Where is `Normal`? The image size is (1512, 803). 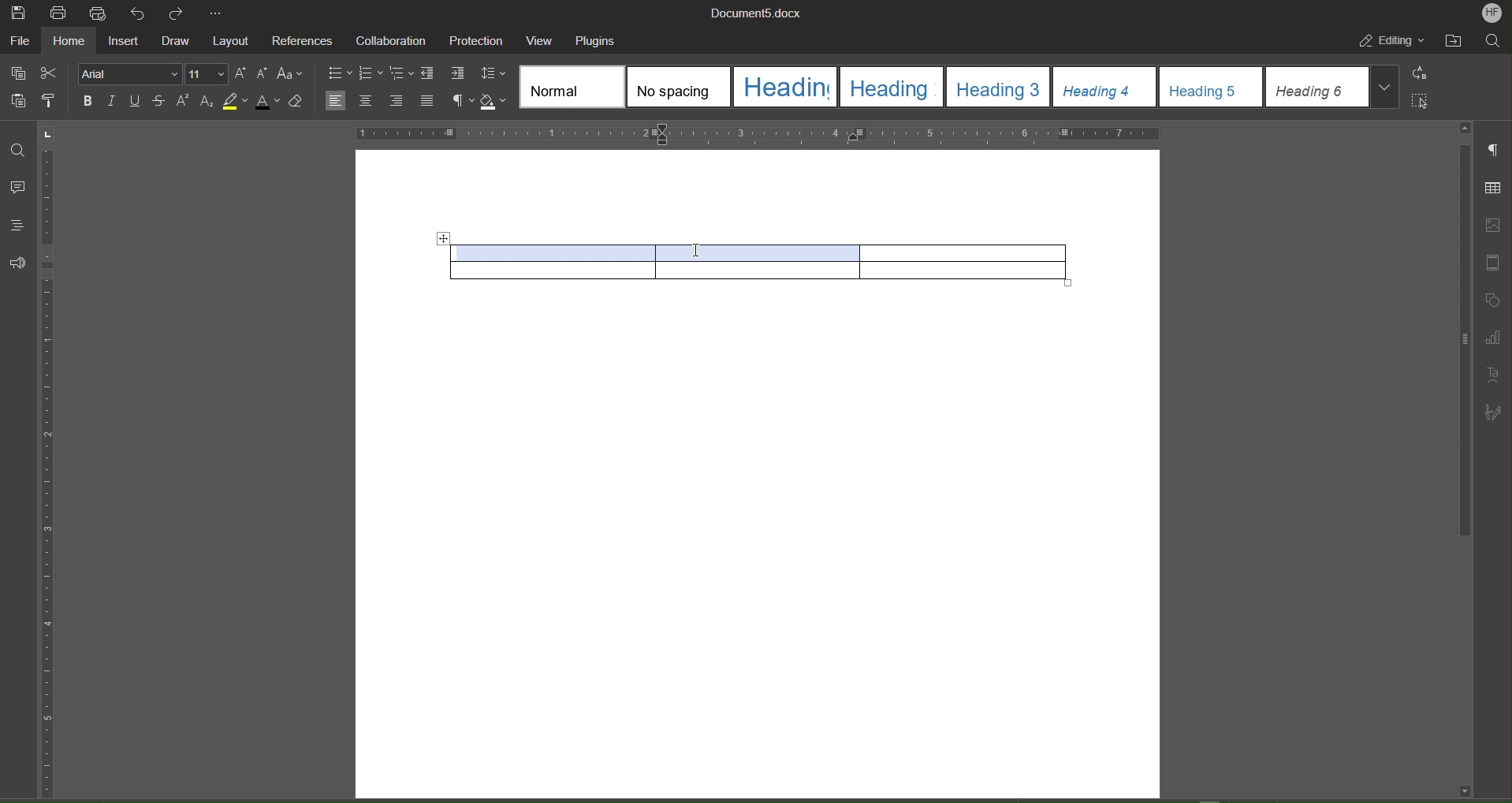 Normal is located at coordinates (572, 87).